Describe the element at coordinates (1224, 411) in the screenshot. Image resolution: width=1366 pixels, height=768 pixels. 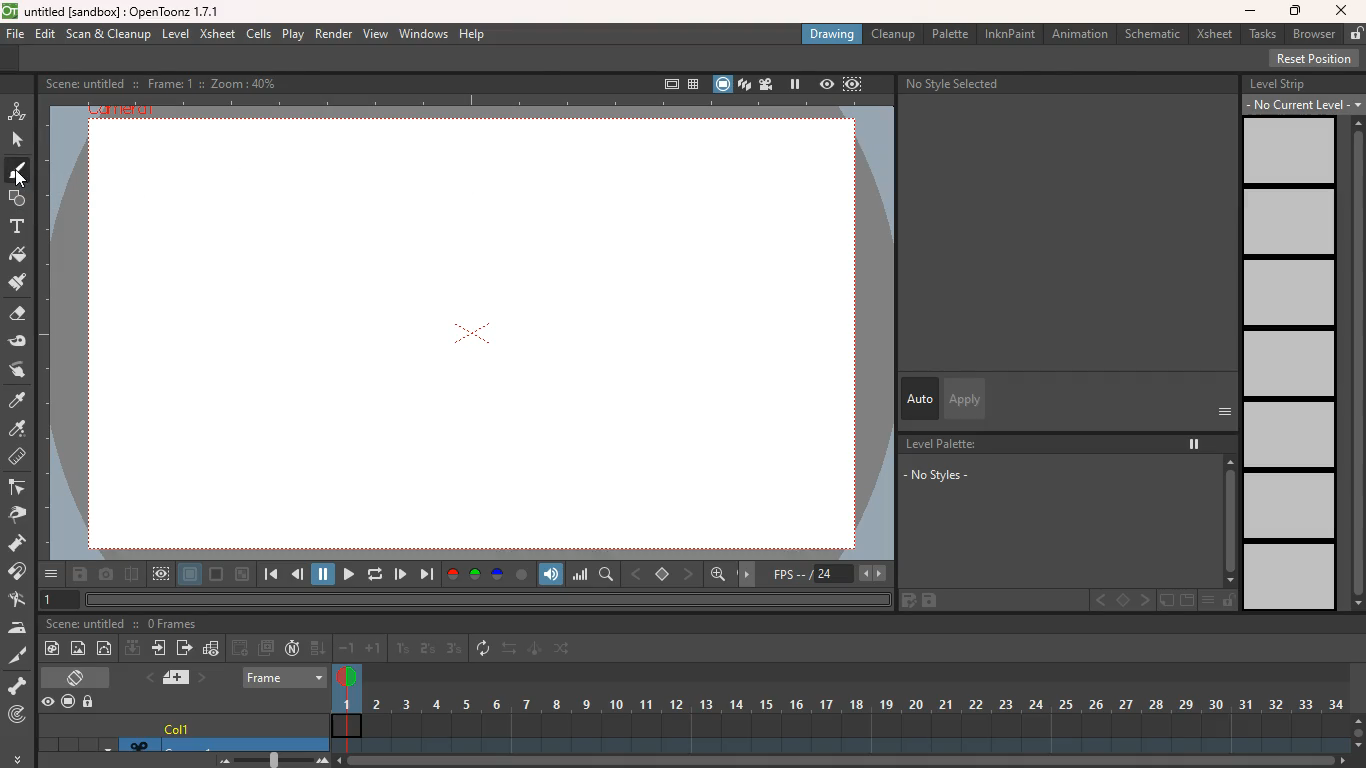
I see `more` at that location.